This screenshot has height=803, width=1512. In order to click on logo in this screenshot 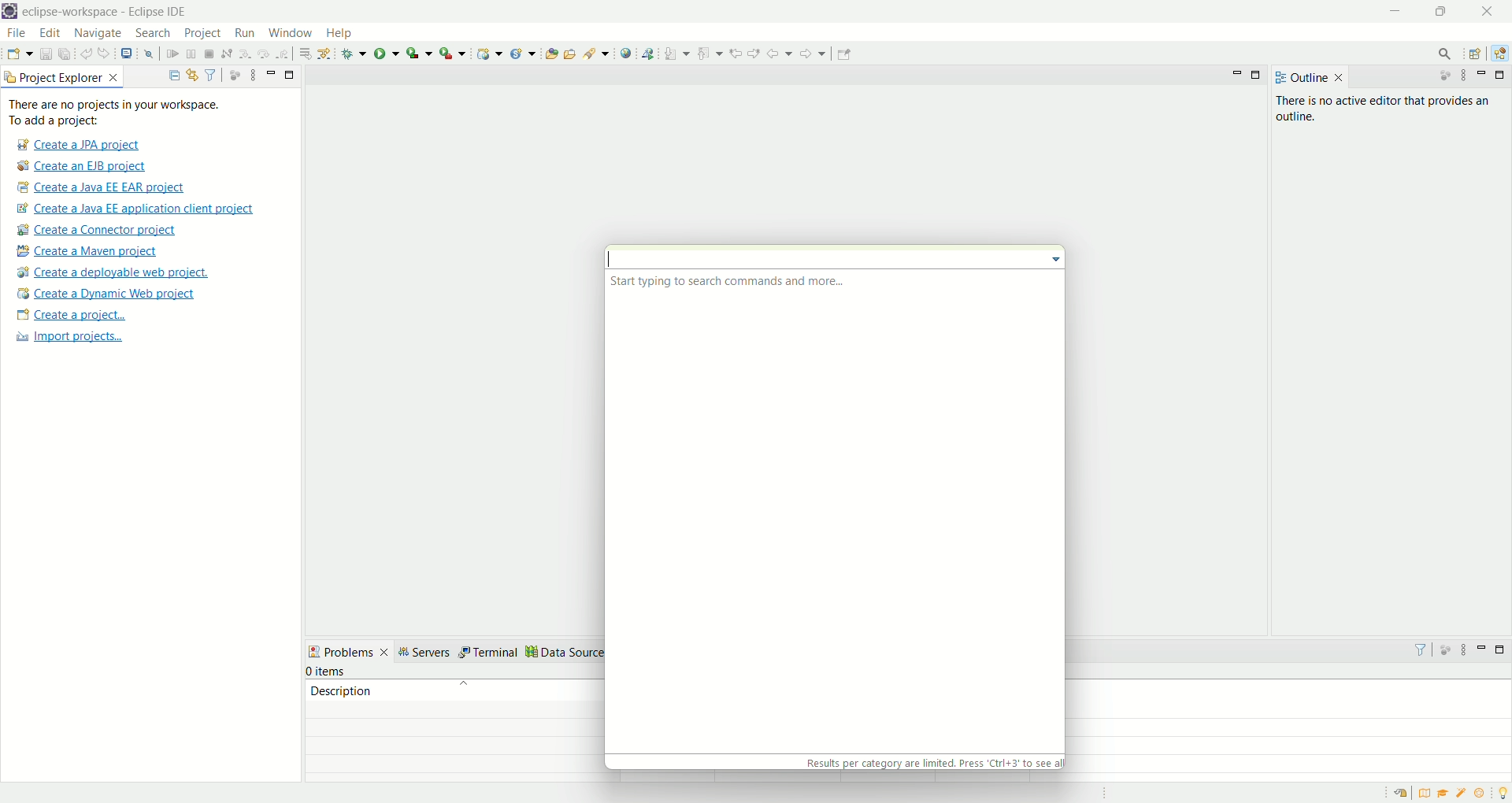, I will do `click(10, 11)`.